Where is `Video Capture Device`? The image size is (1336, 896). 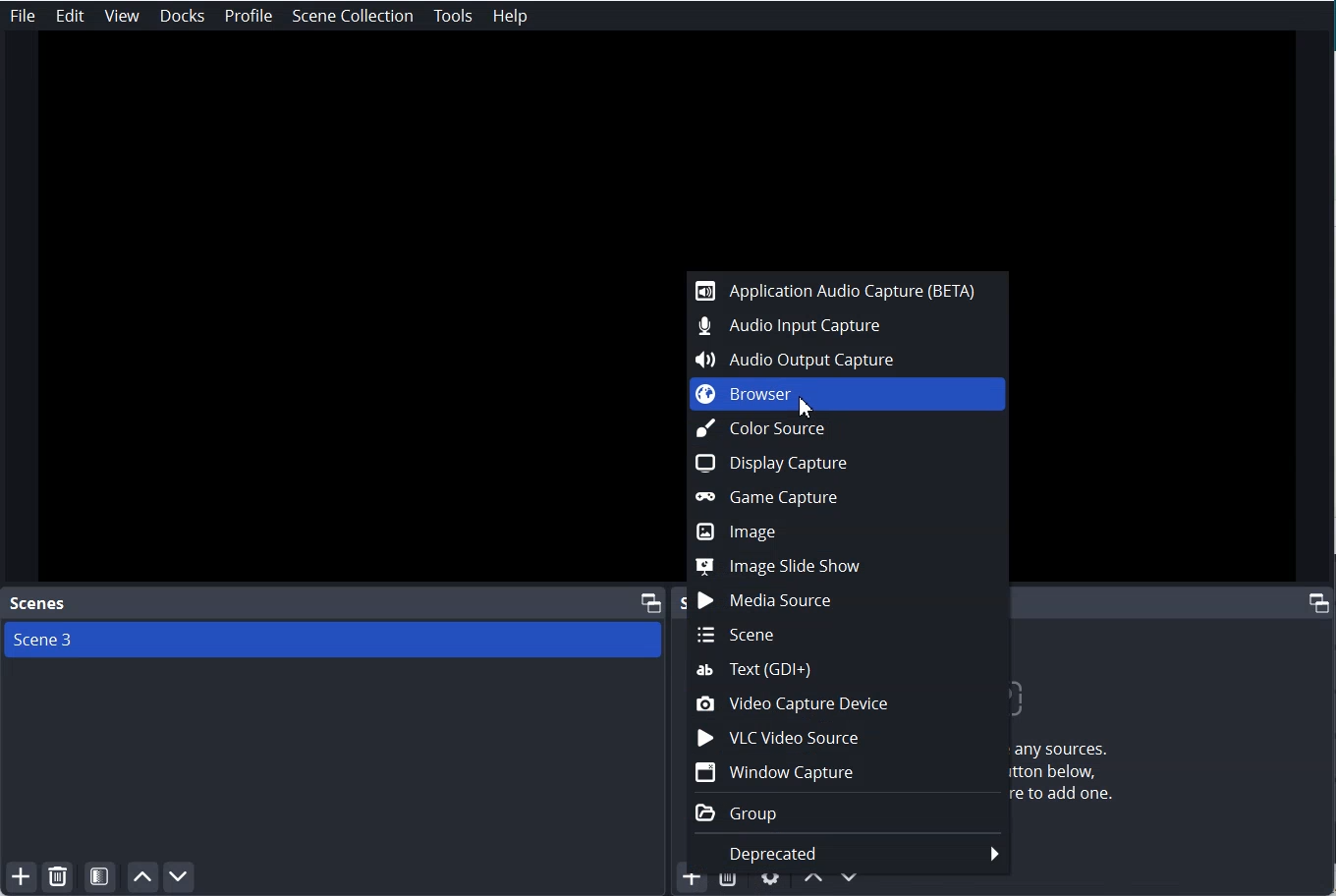 Video Capture Device is located at coordinates (849, 703).